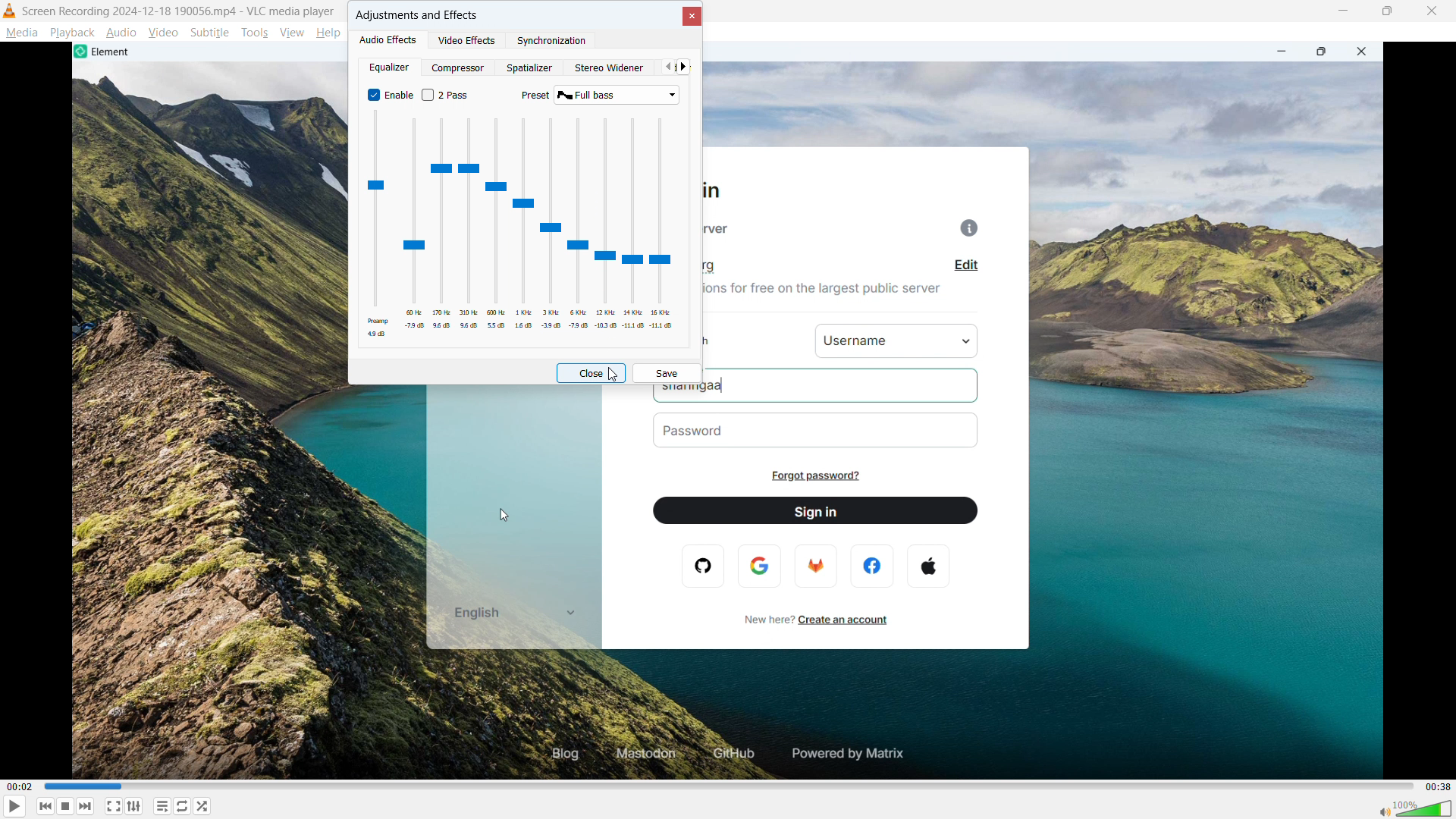 The width and height of the screenshot is (1456, 819). What do you see at coordinates (72, 33) in the screenshot?
I see `Play back ` at bounding box center [72, 33].